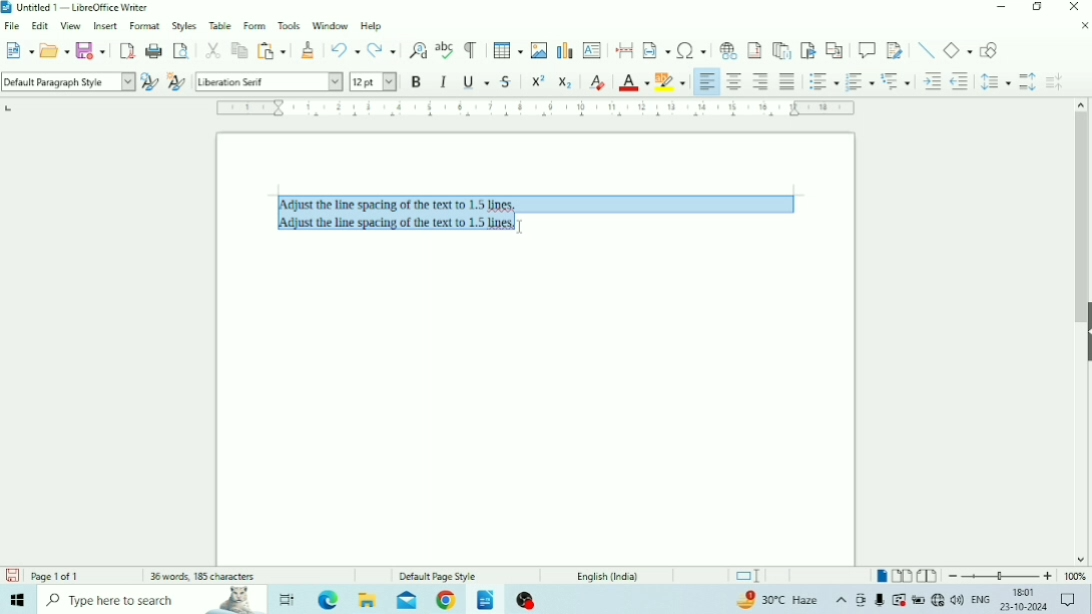 The image size is (1092, 614). I want to click on Insert Bookmark, so click(809, 49).